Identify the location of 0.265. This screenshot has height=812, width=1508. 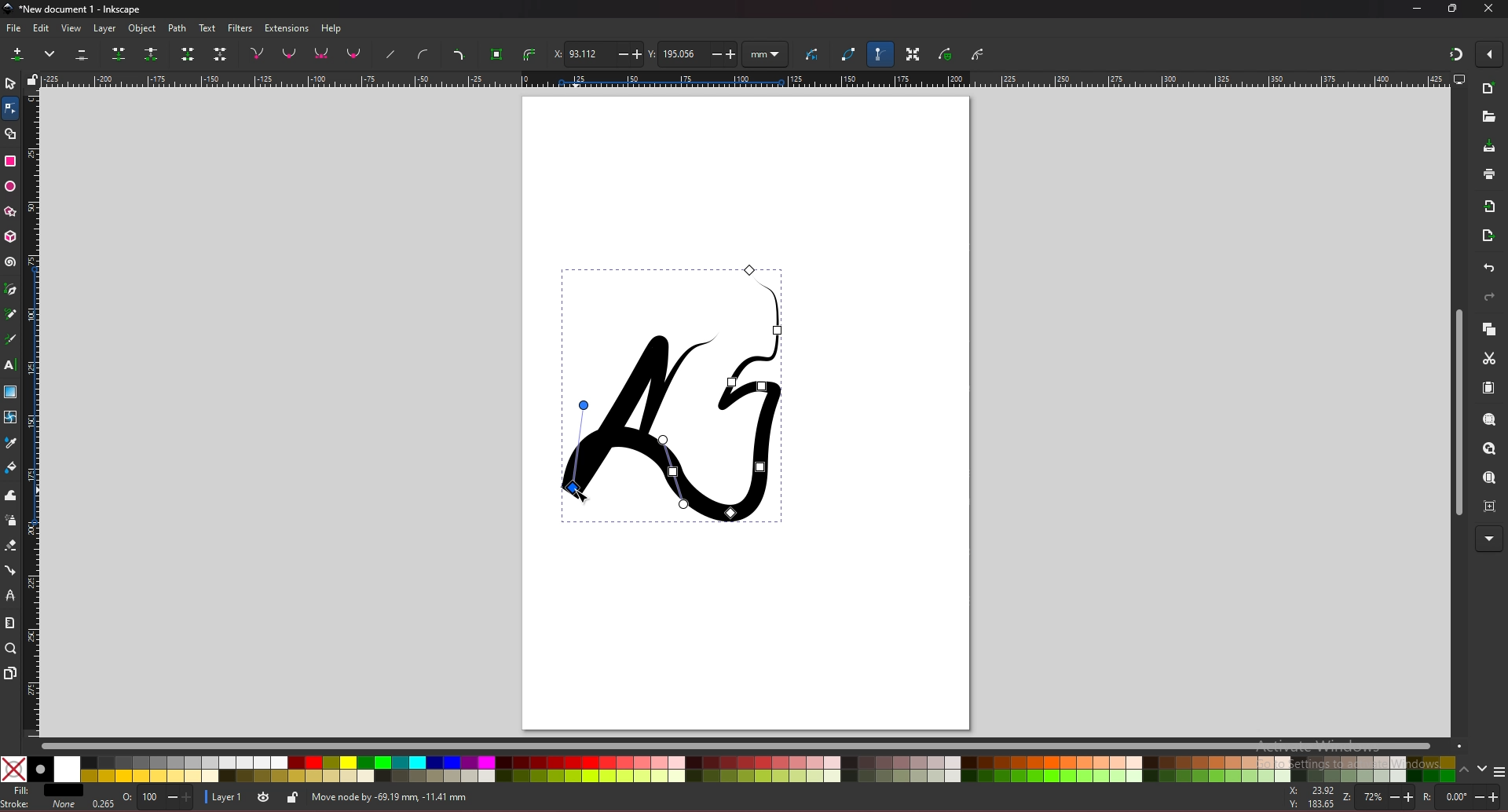
(99, 803).